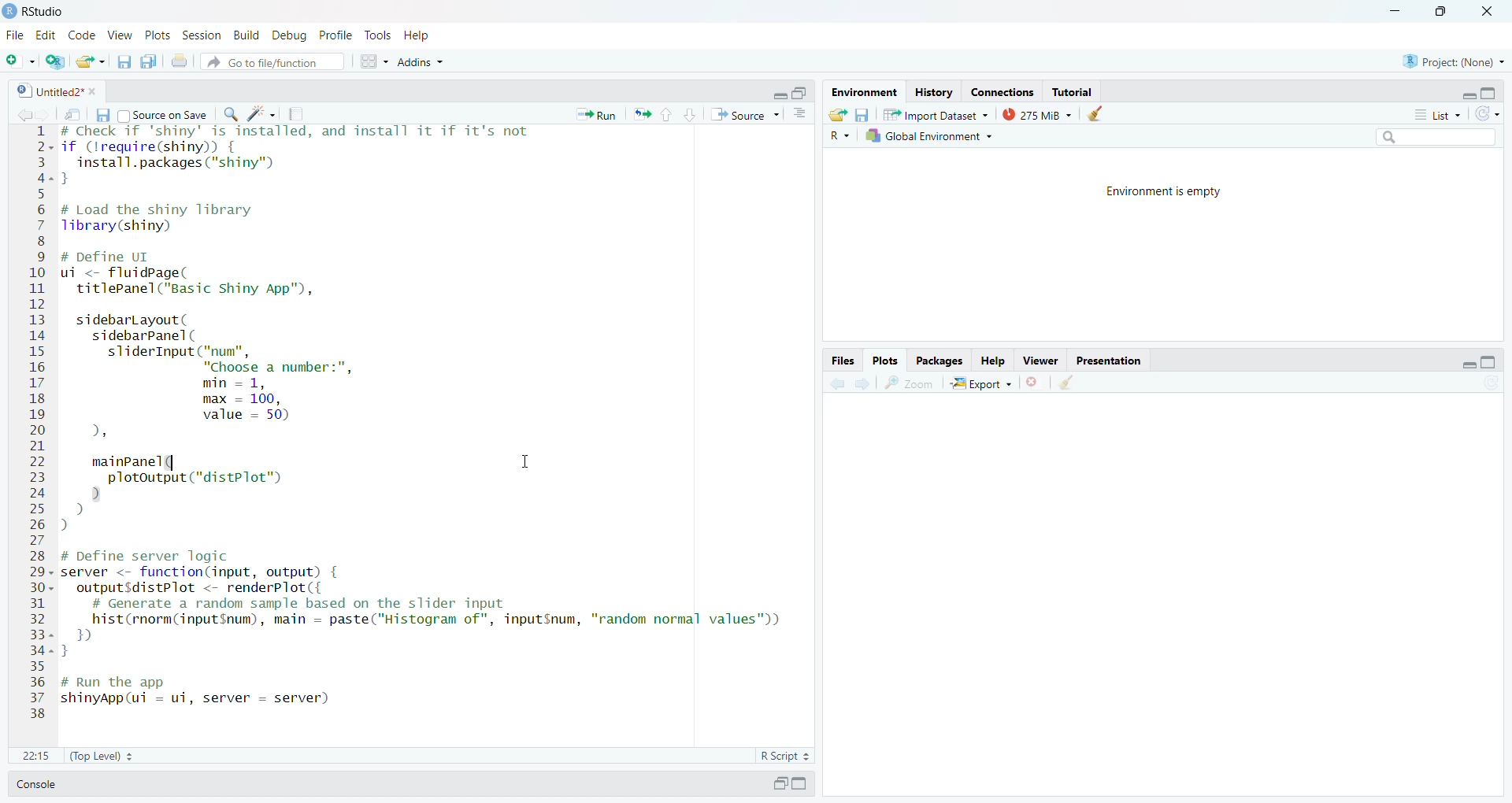  I want to click on source on save checkbox, so click(164, 114).